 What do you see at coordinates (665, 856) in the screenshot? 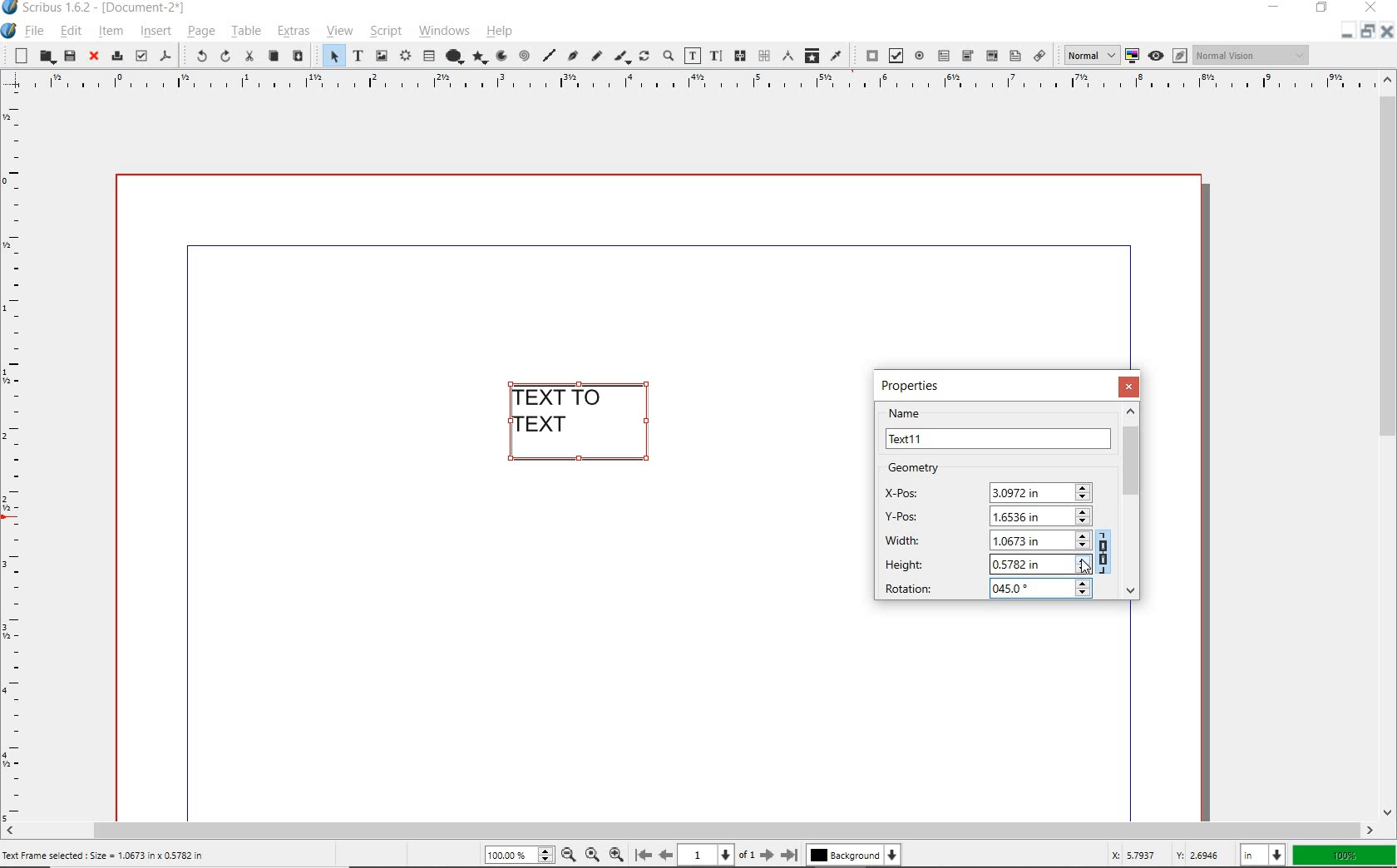
I see `move to previous` at bounding box center [665, 856].